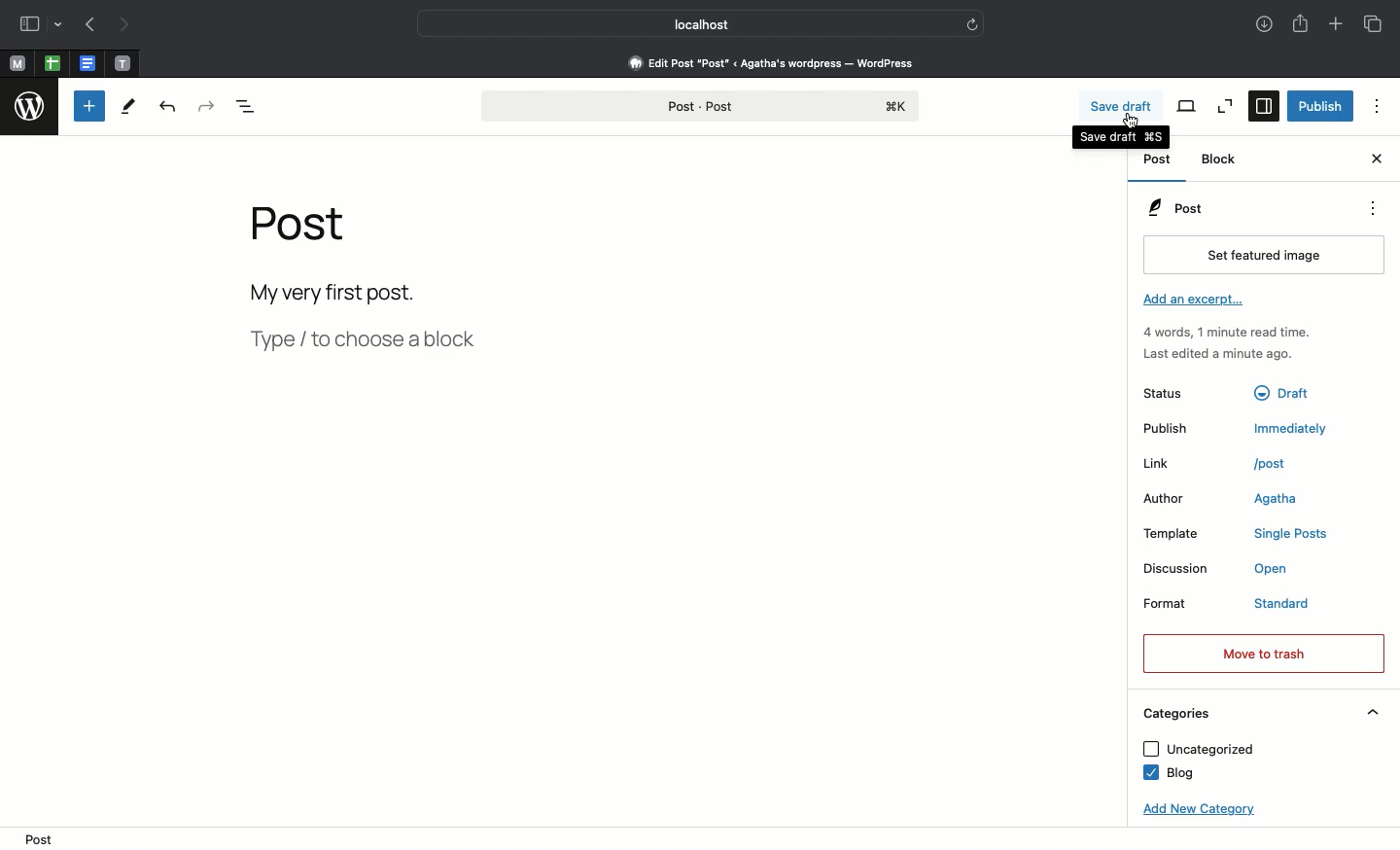 The height and width of the screenshot is (850, 1400). Describe the element at coordinates (90, 26) in the screenshot. I see `Previous page` at that location.